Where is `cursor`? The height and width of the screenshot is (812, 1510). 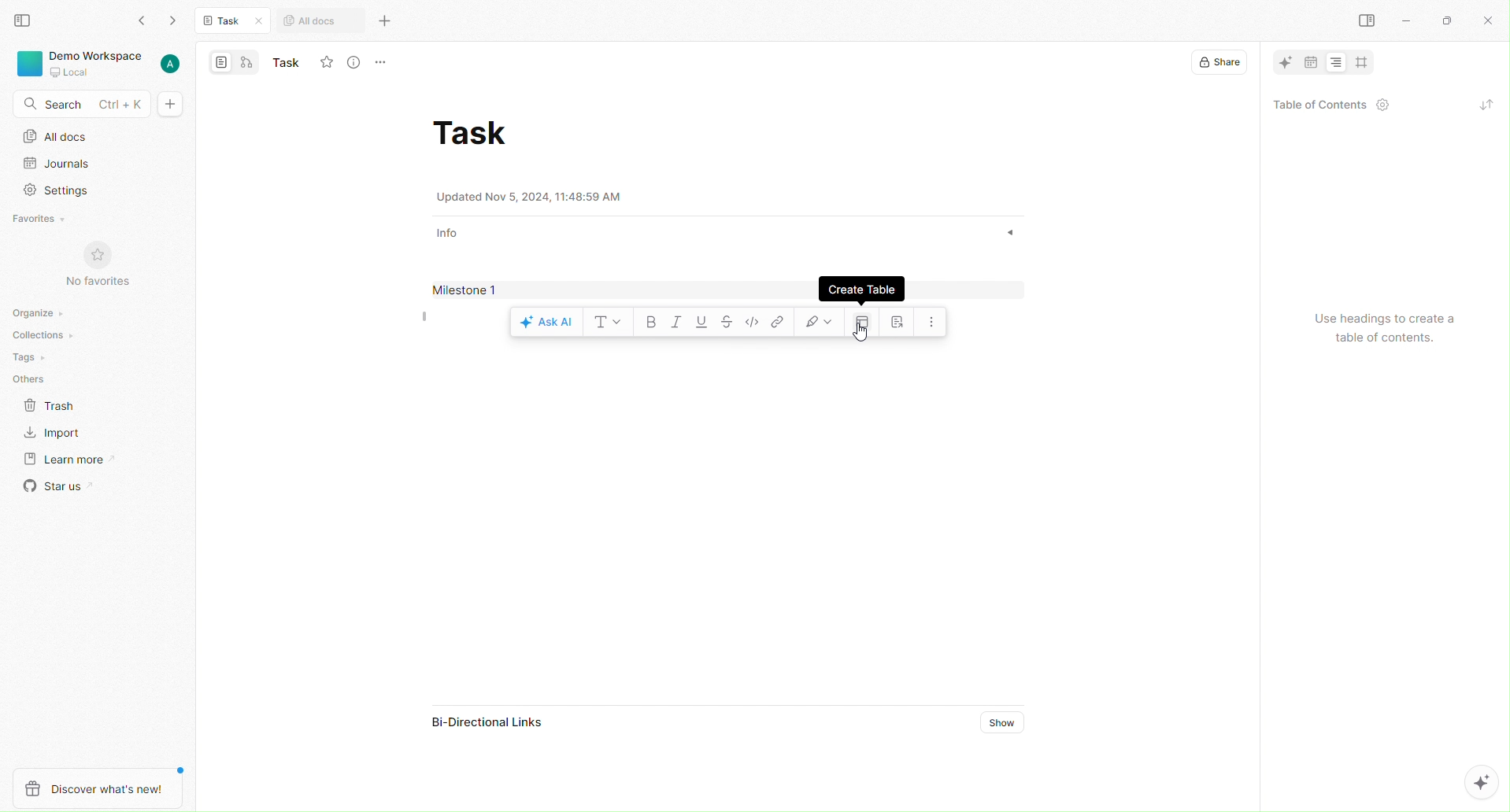
cursor is located at coordinates (861, 338).